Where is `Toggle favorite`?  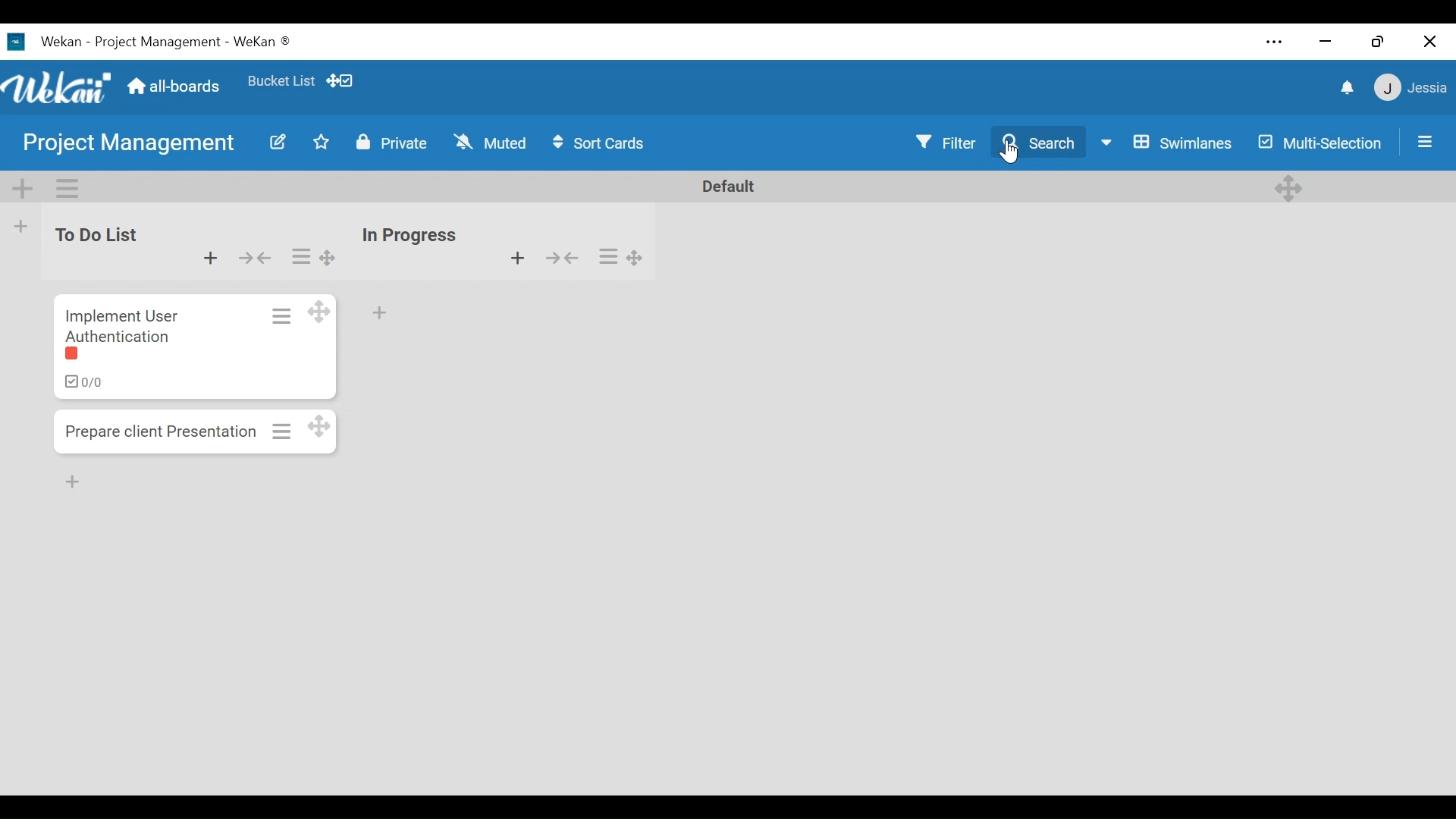 Toggle favorite is located at coordinates (322, 143).